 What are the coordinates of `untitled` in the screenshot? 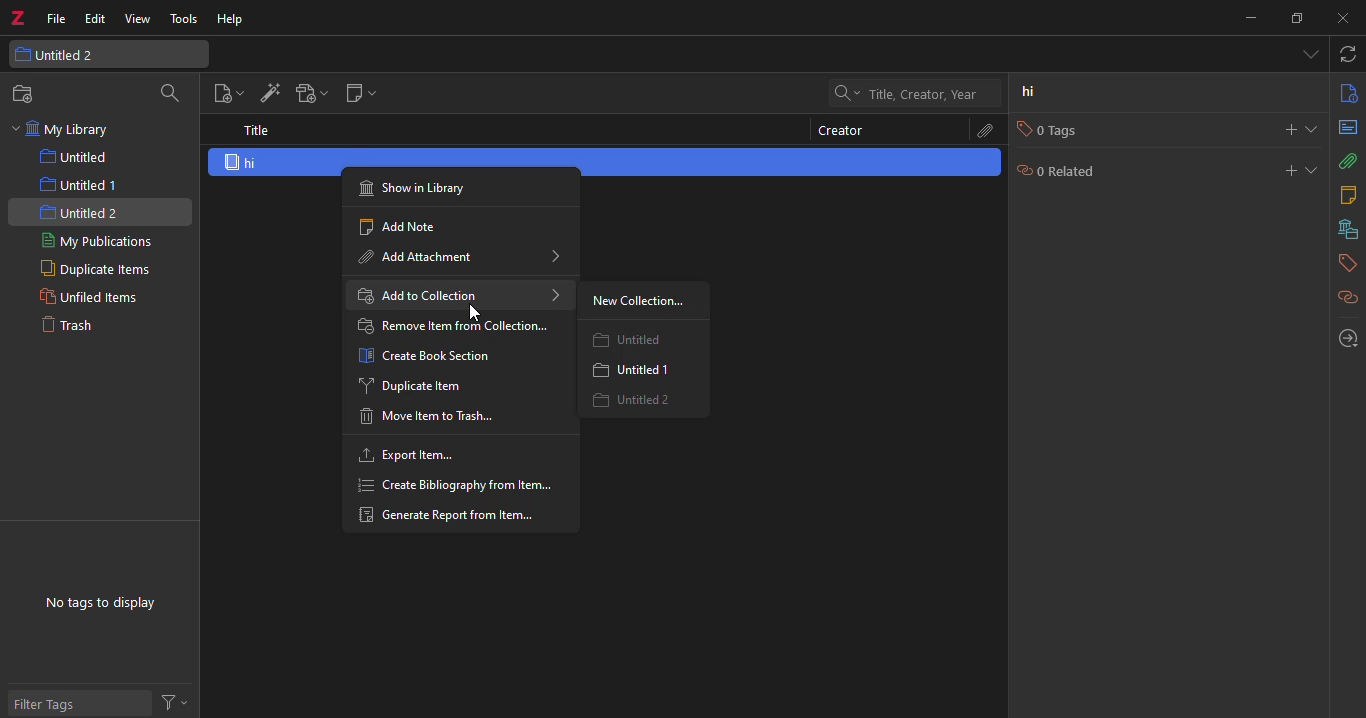 It's located at (635, 338).